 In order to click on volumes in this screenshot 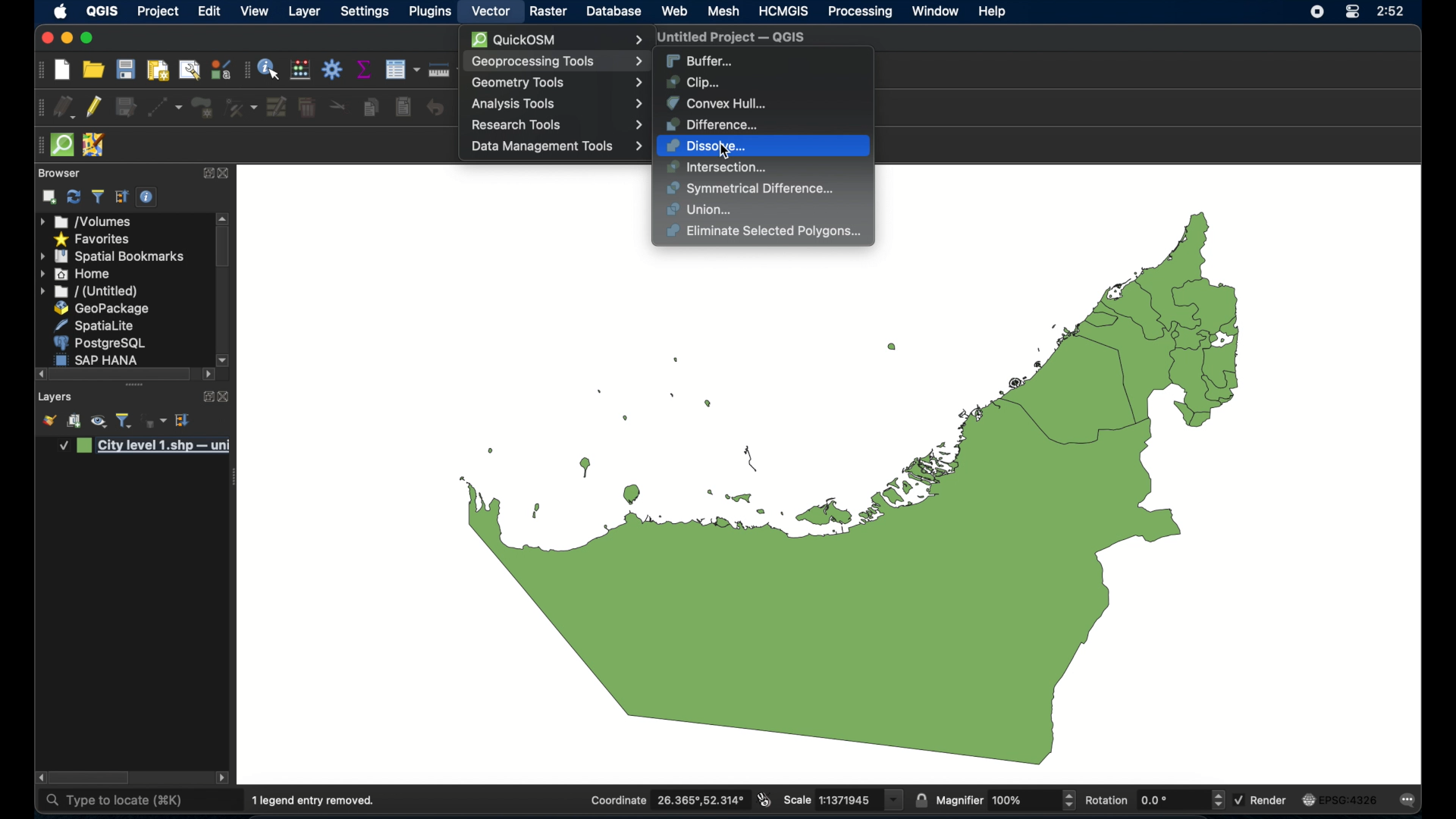, I will do `click(86, 221)`.